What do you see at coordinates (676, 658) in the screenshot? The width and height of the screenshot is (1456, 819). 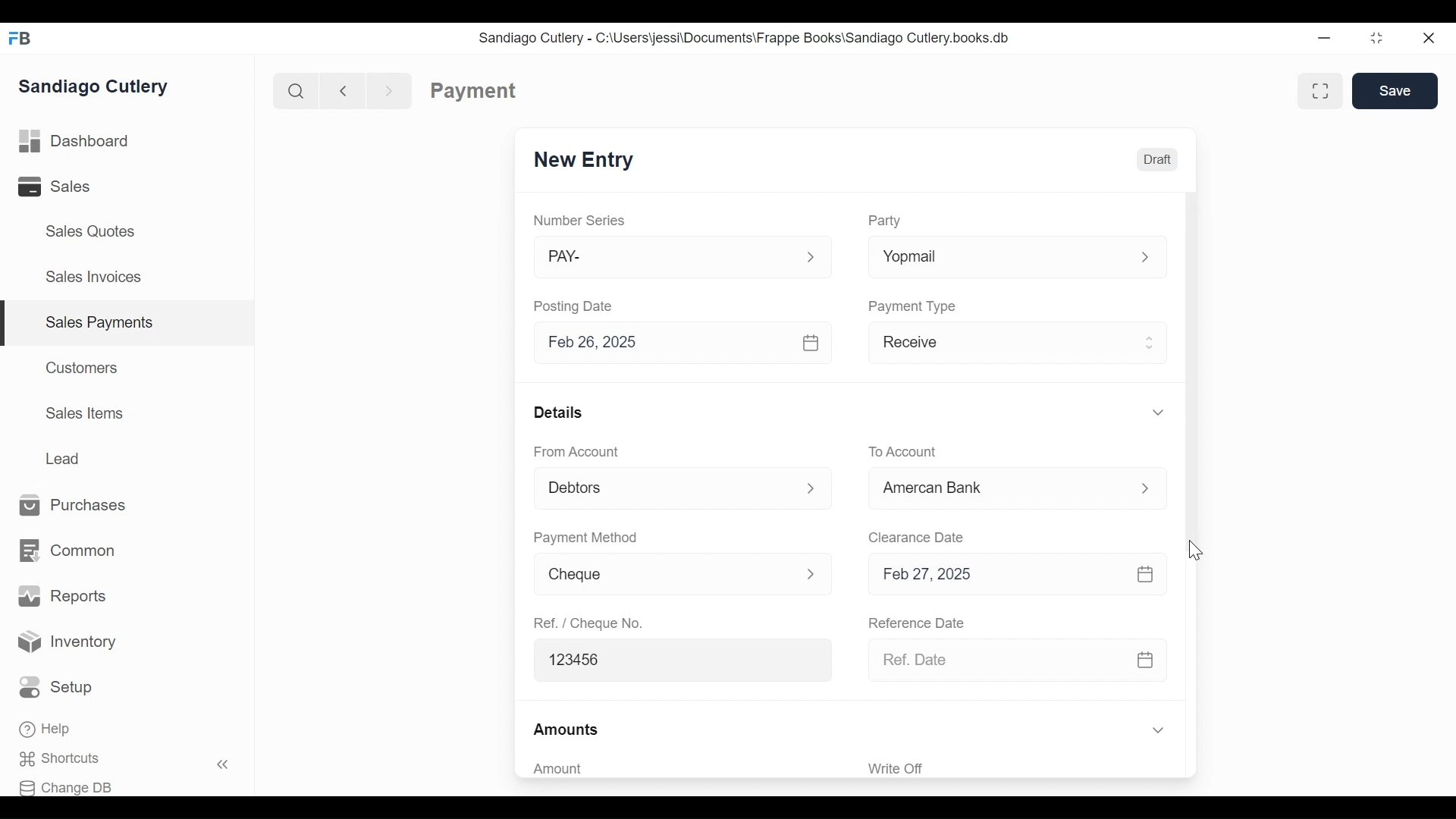 I see `123456` at bounding box center [676, 658].